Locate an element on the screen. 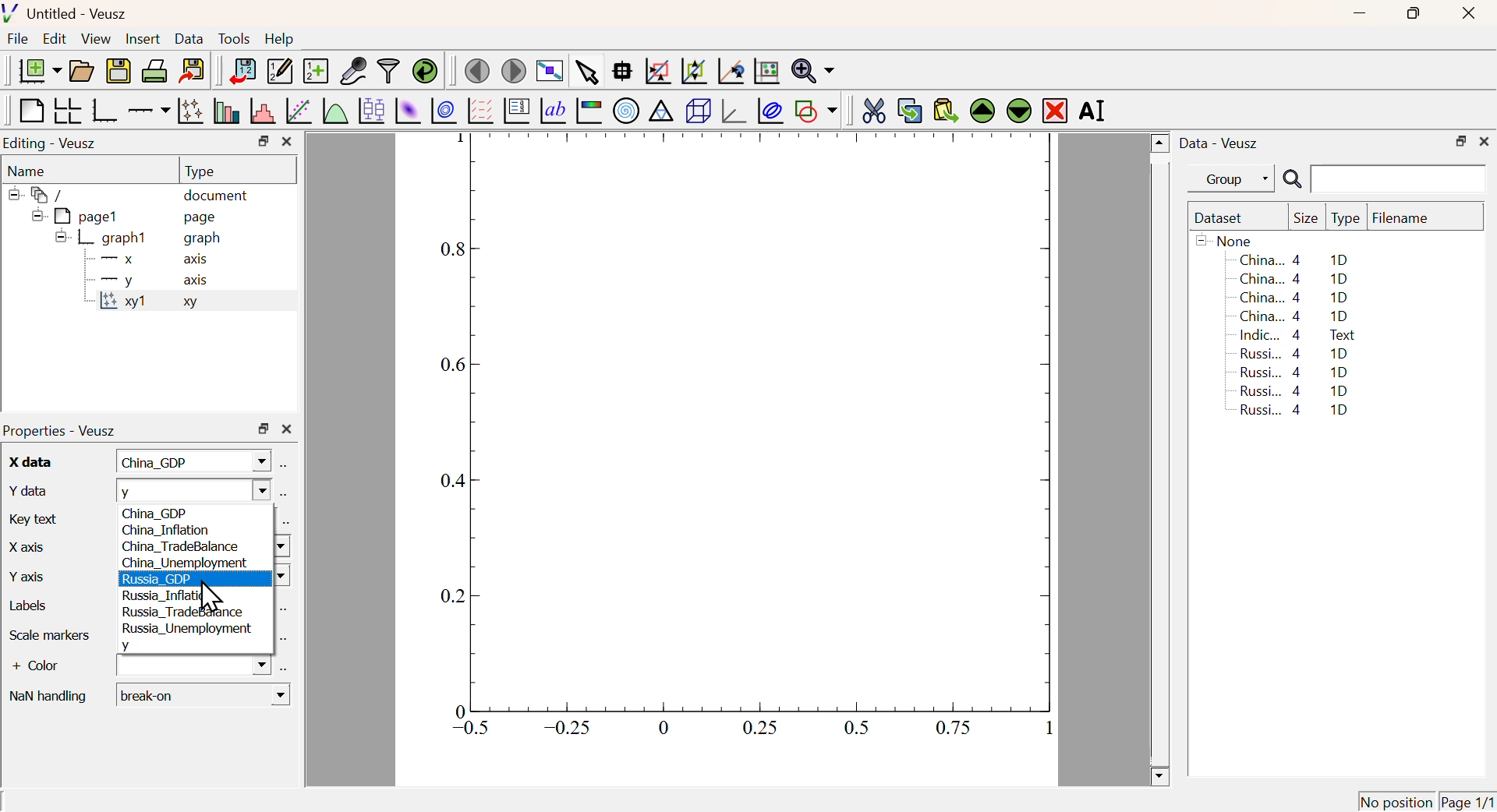 This screenshot has height=812, width=1497. Nan handling is located at coordinates (48, 694).